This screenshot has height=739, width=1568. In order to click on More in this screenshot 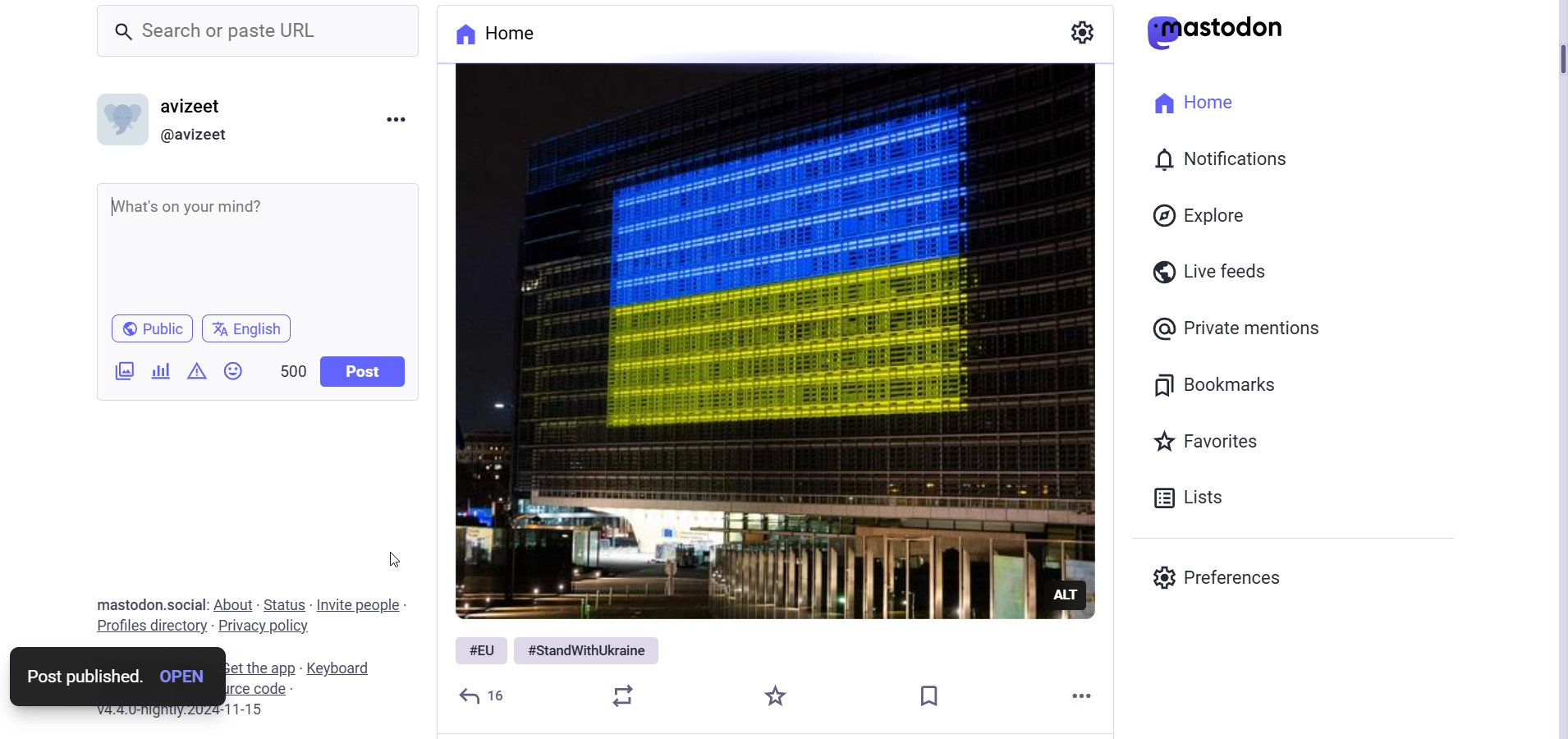, I will do `click(1086, 695)`.